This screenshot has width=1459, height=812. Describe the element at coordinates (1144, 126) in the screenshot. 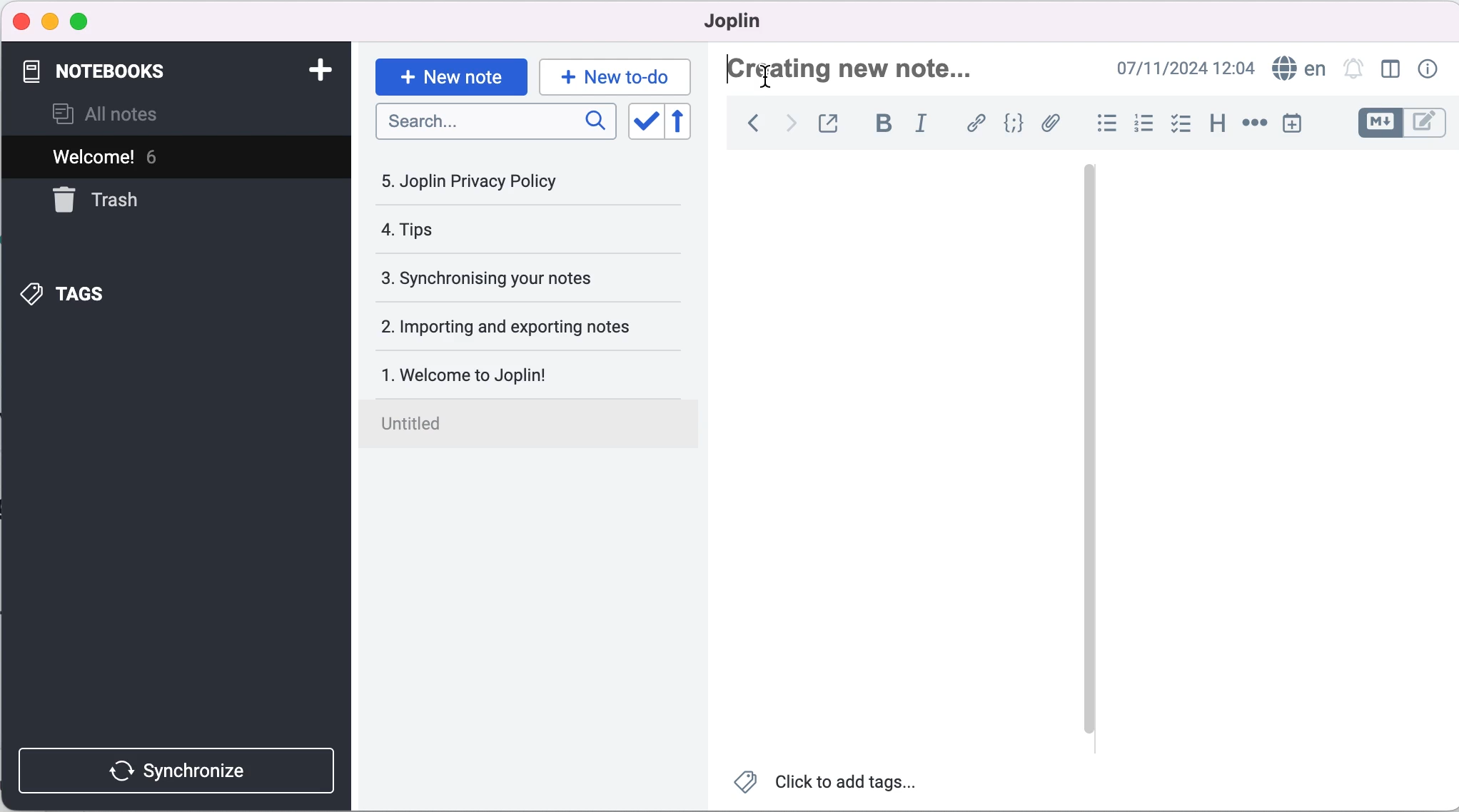

I see `numbered list` at that location.